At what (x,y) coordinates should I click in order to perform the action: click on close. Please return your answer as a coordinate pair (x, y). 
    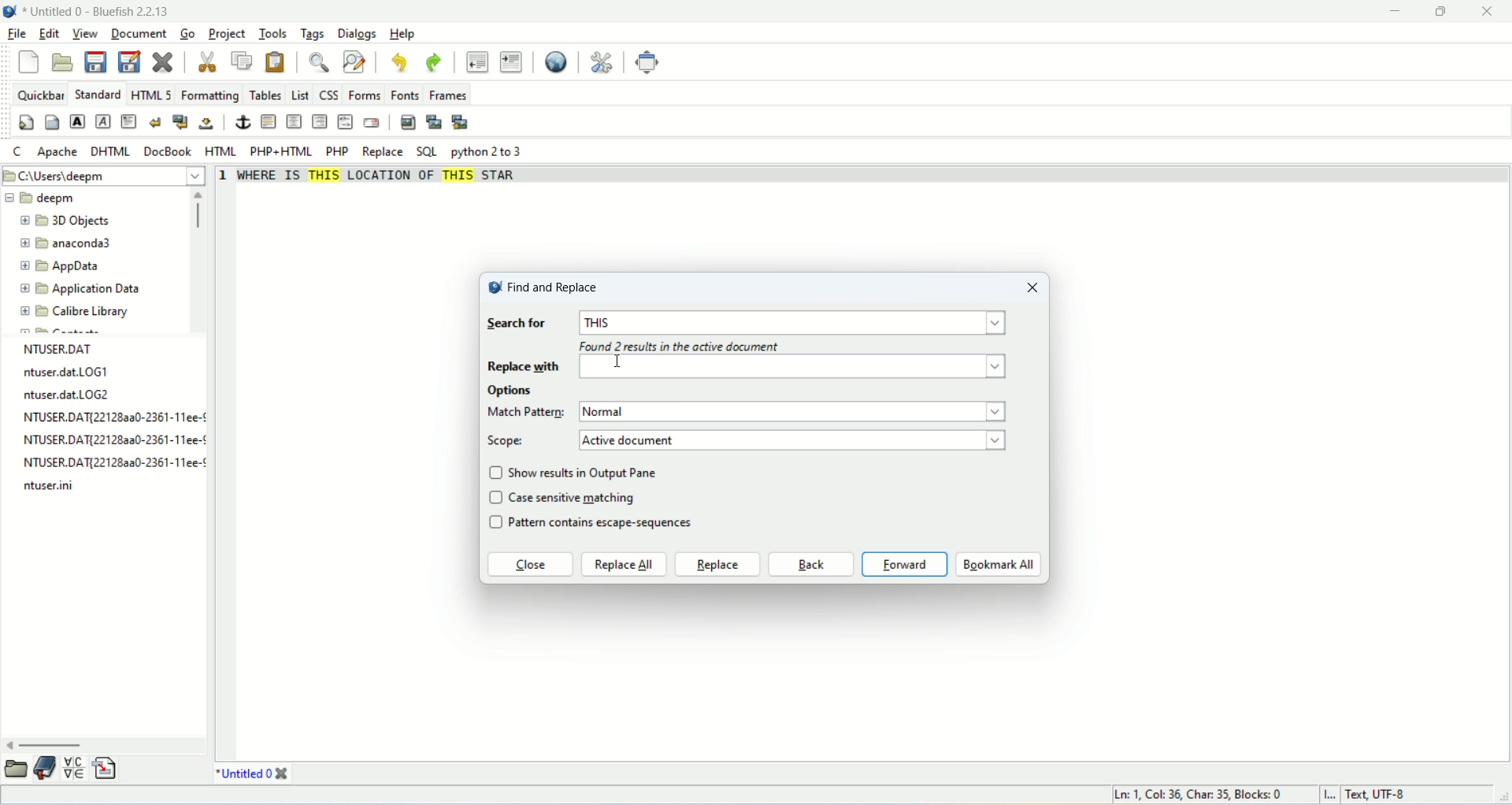
    Looking at the image, I should click on (1033, 289).